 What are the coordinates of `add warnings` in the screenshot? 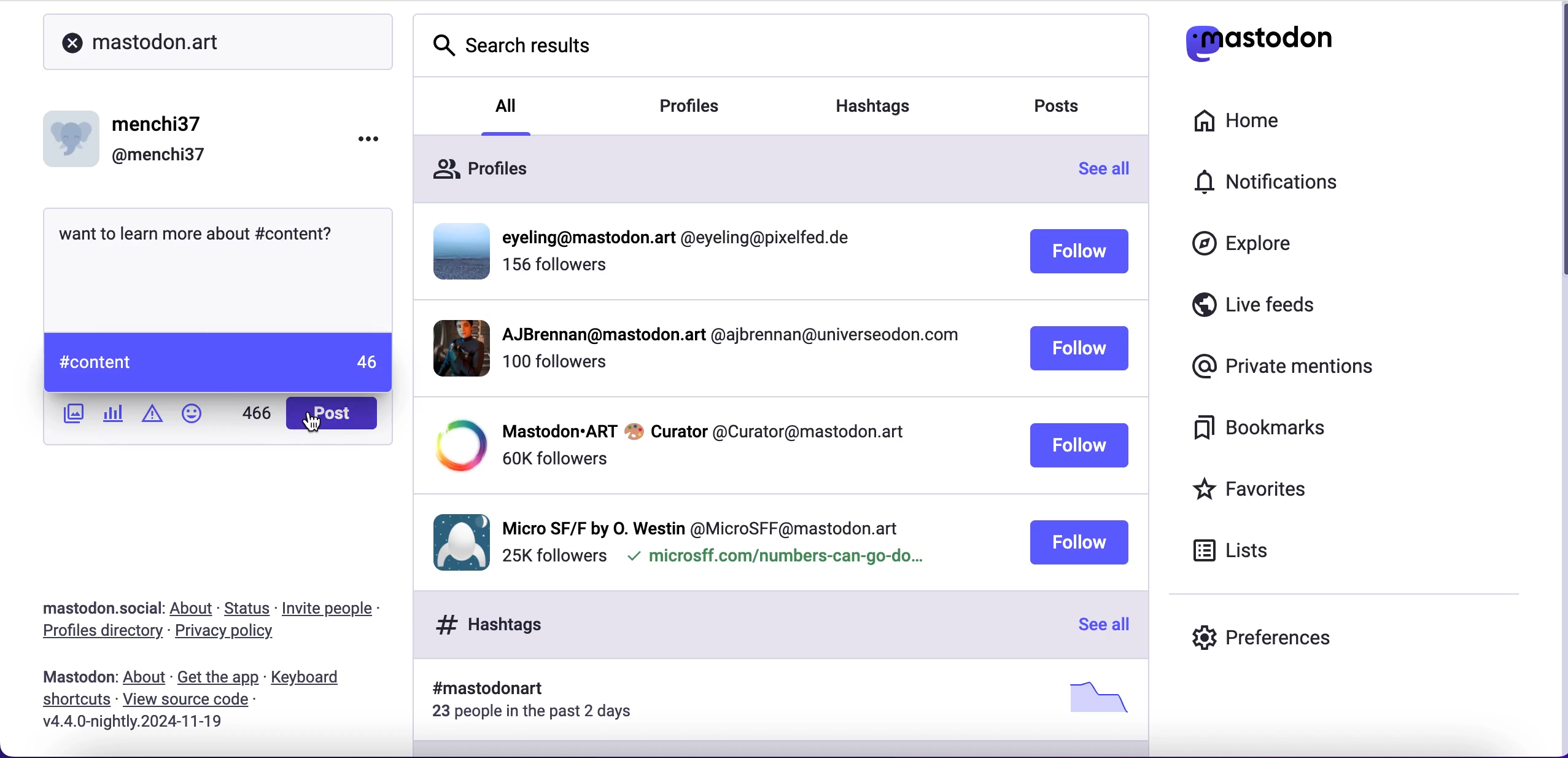 It's located at (152, 418).